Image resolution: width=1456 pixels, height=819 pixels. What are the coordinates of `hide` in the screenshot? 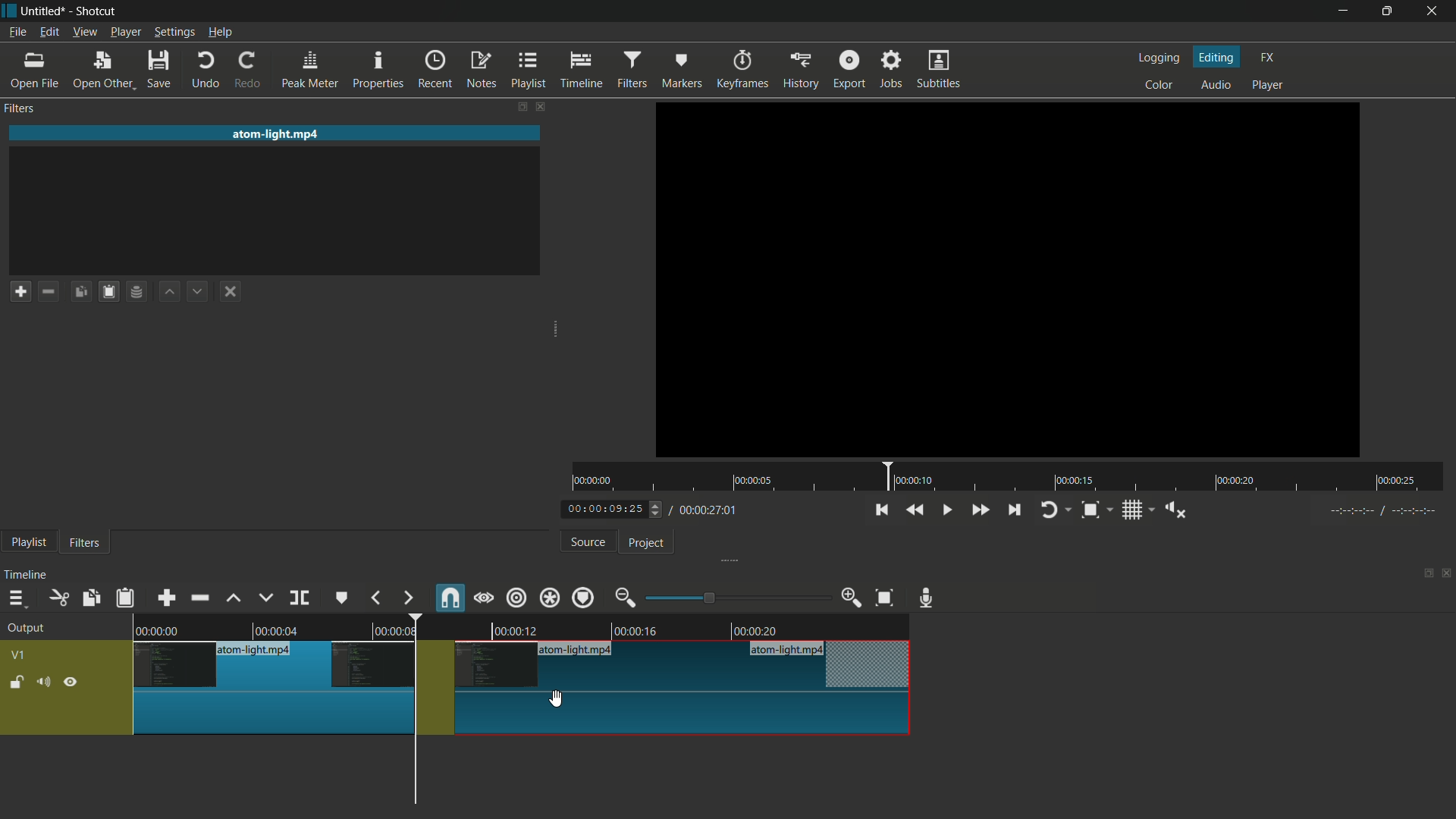 It's located at (72, 681).